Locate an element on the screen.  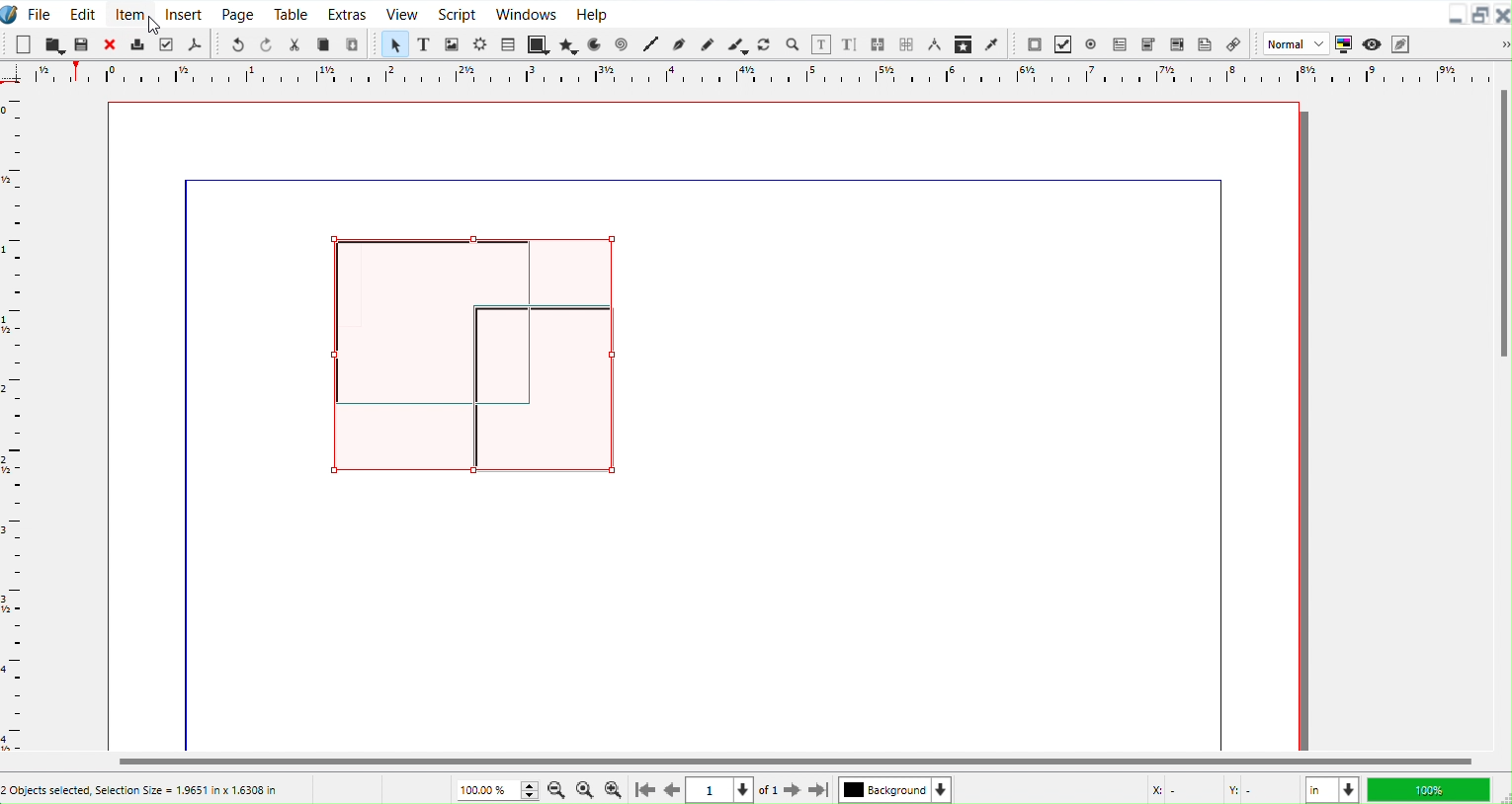
Horizontal Scale bar is located at coordinates (15, 423).